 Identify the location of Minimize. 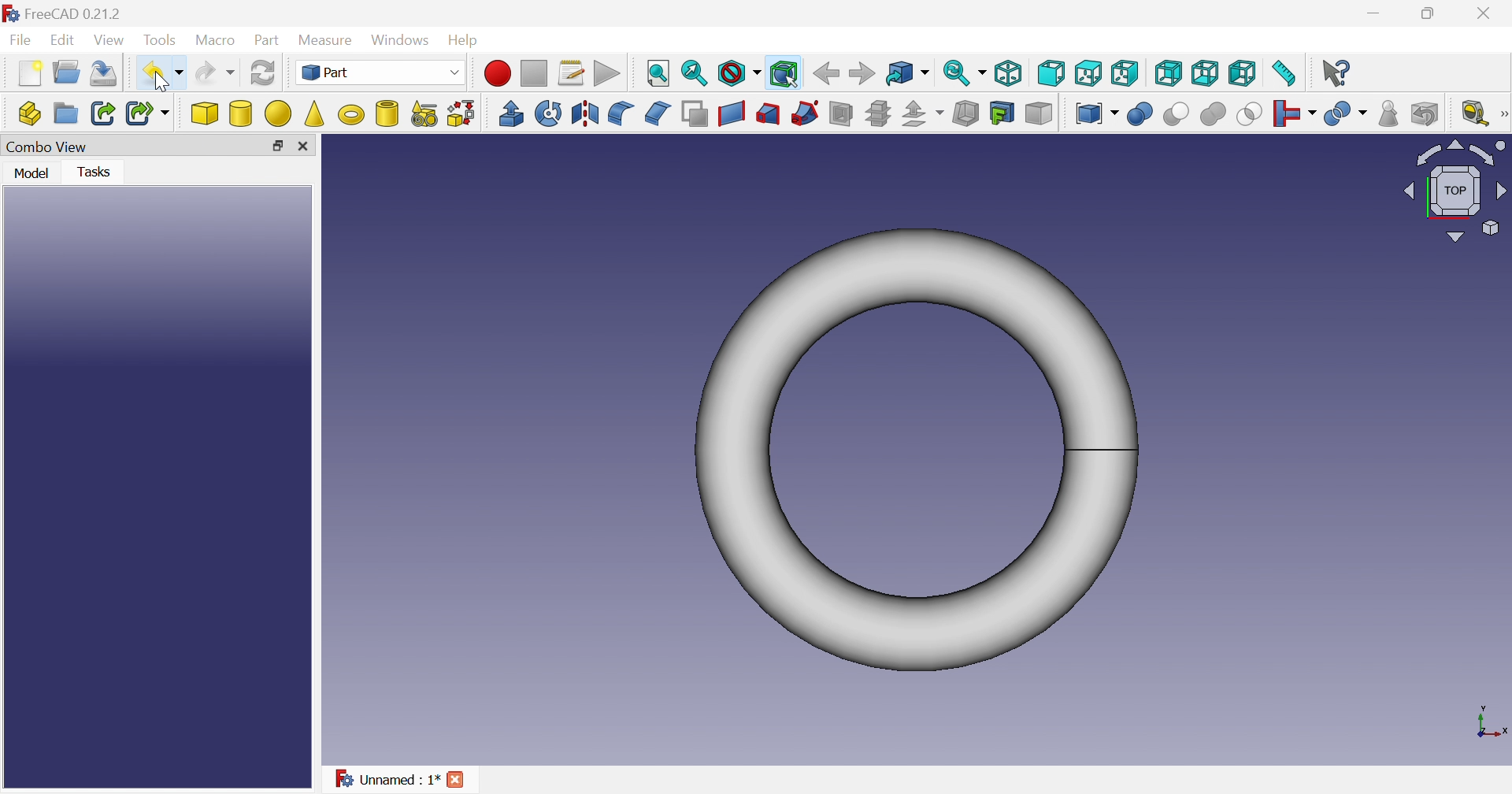
(1377, 11).